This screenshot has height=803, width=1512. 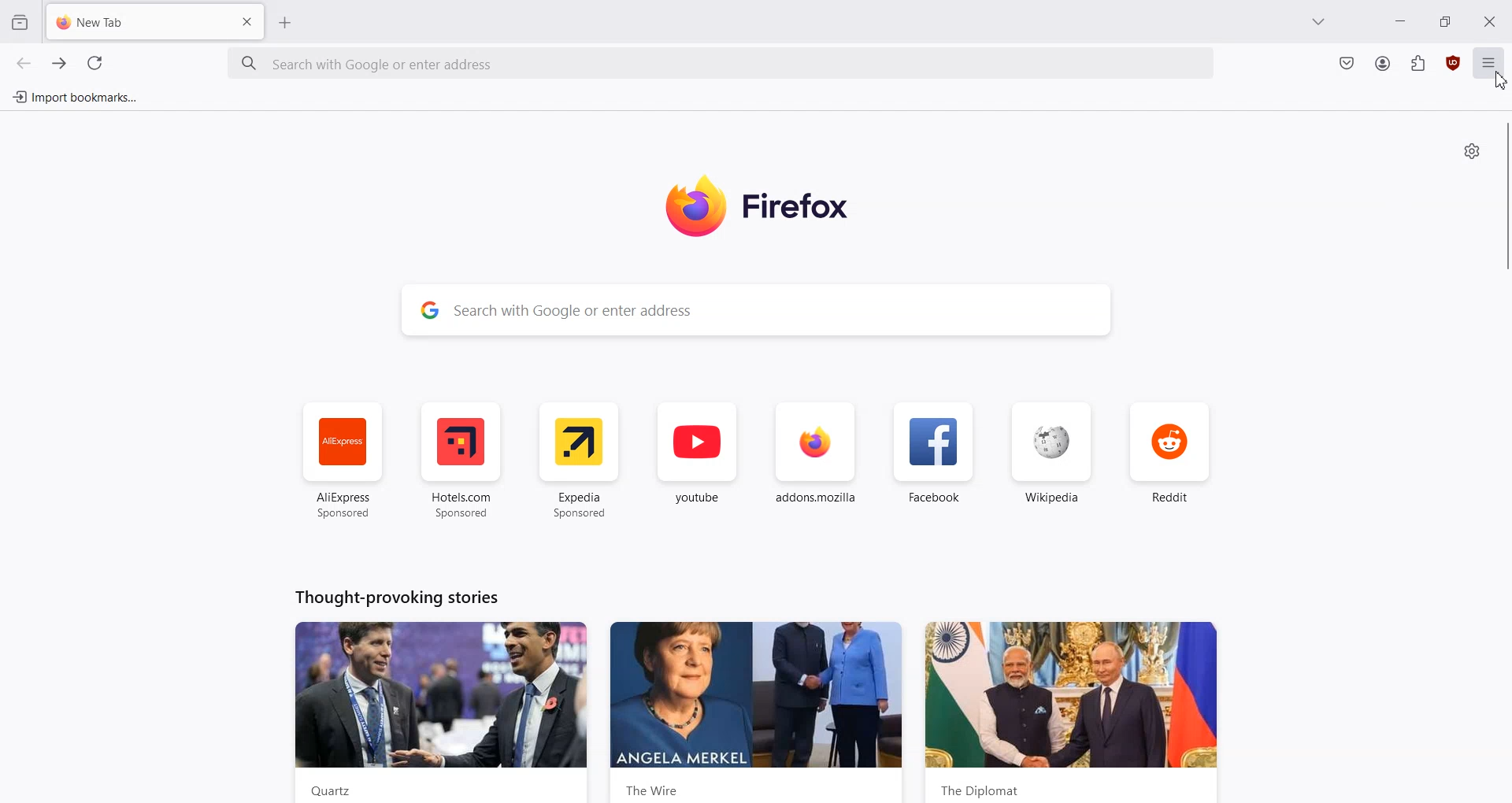 I want to click on Open Application menu, so click(x=1490, y=69).